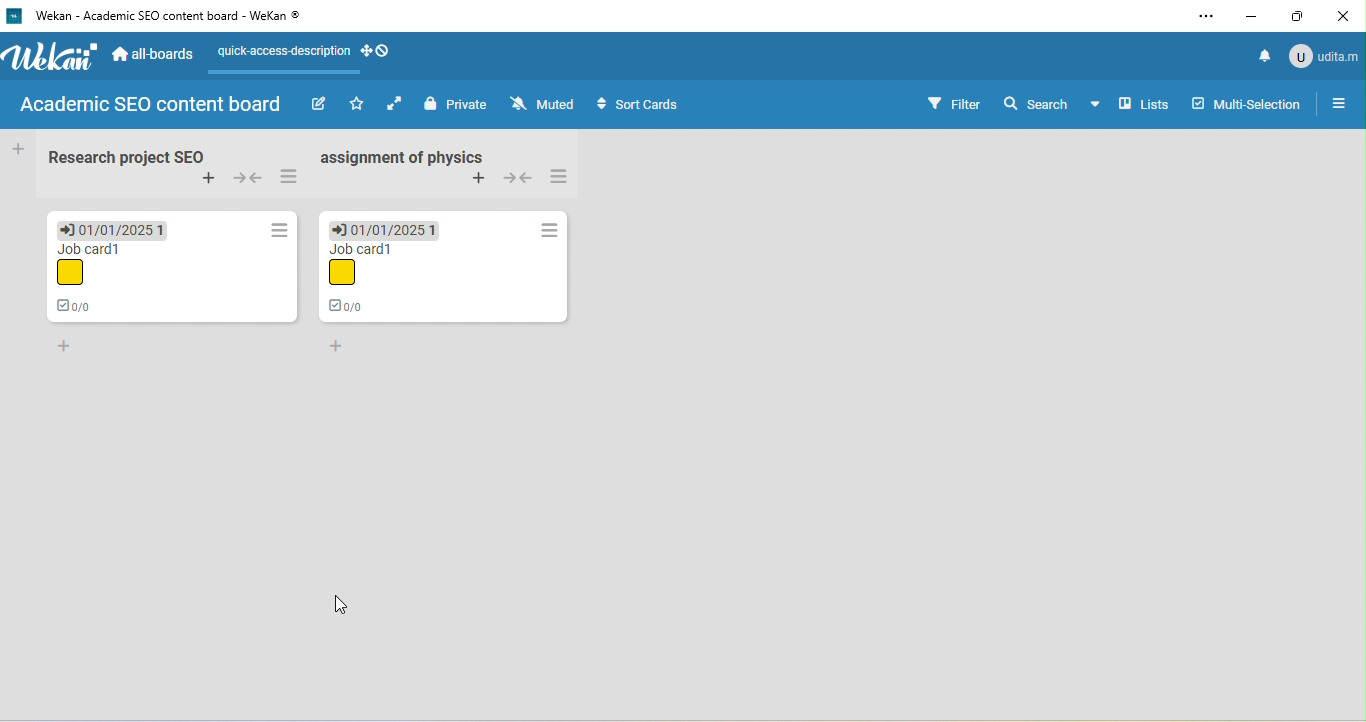  Describe the element at coordinates (1340, 105) in the screenshot. I see `open sidebar` at that location.